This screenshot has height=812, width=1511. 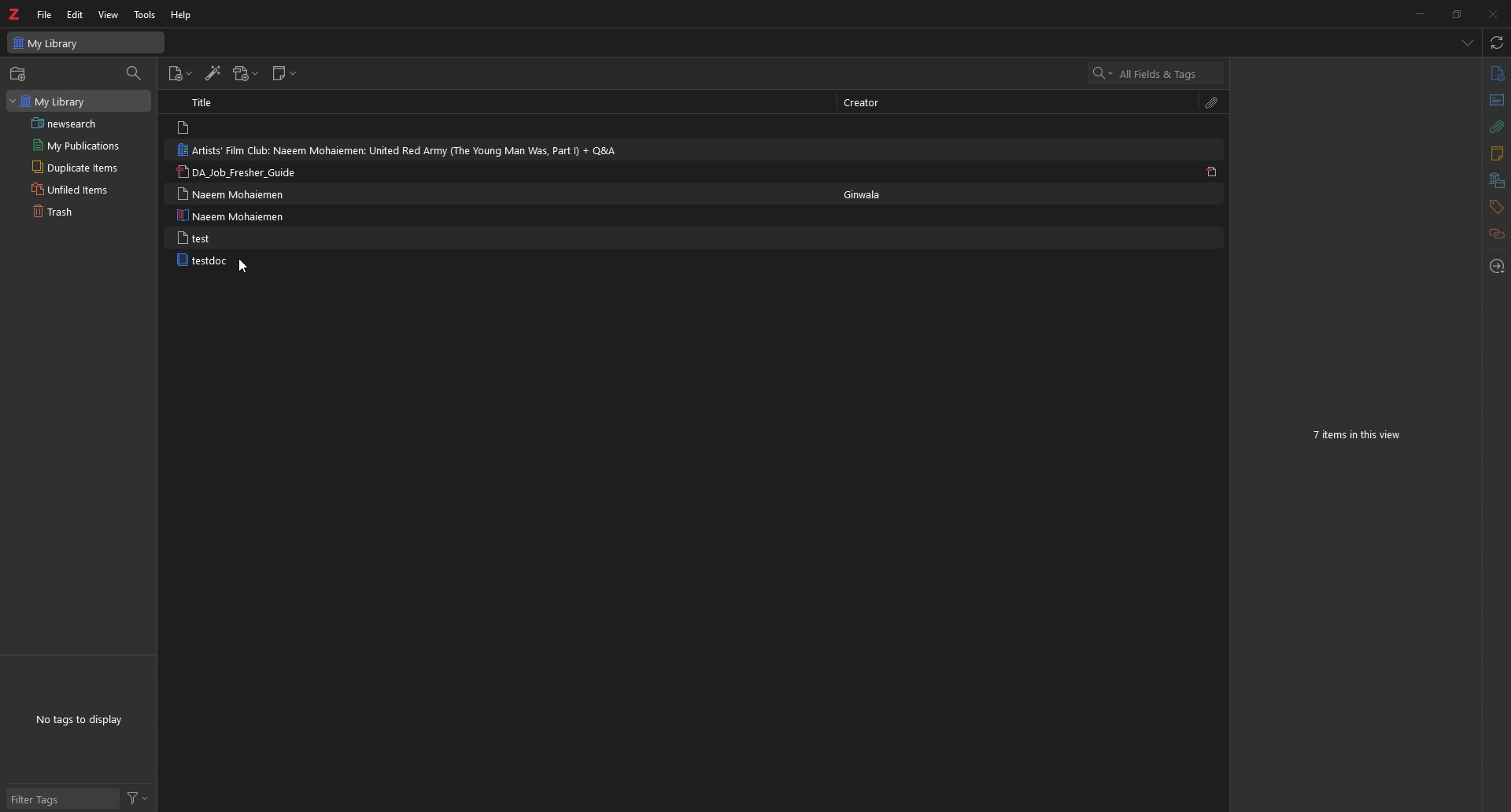 I want to click on sync, so click(x=1497, y=43).